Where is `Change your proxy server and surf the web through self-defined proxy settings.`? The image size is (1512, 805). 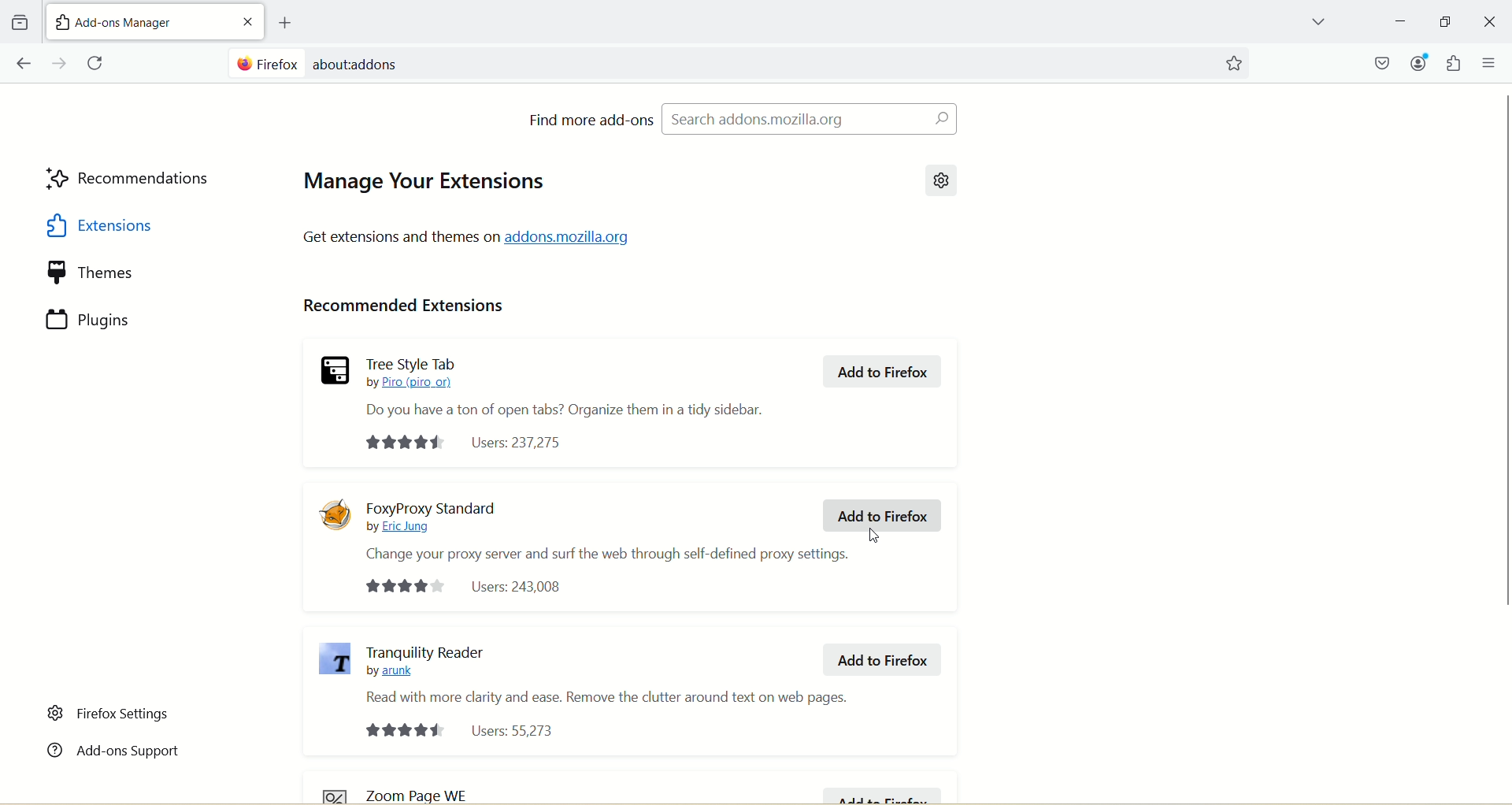 Change your proxy server and surf the web through self-defined proxy settings. is located at coordinates (610, 555).